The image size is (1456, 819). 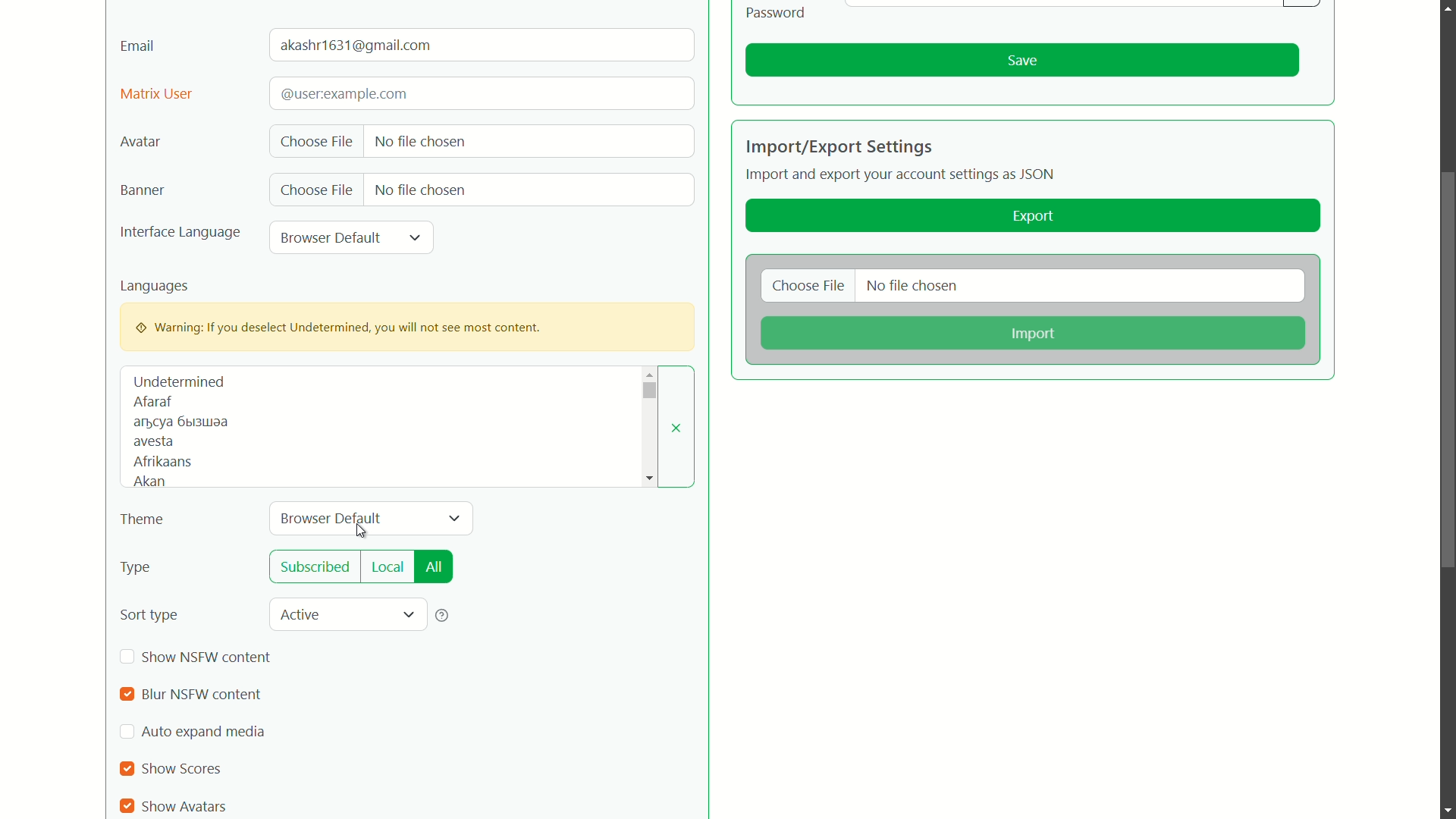 What do you see at coordinates (303, 613) in the screenshot?
I see `active` at bounding box center [303, 613].